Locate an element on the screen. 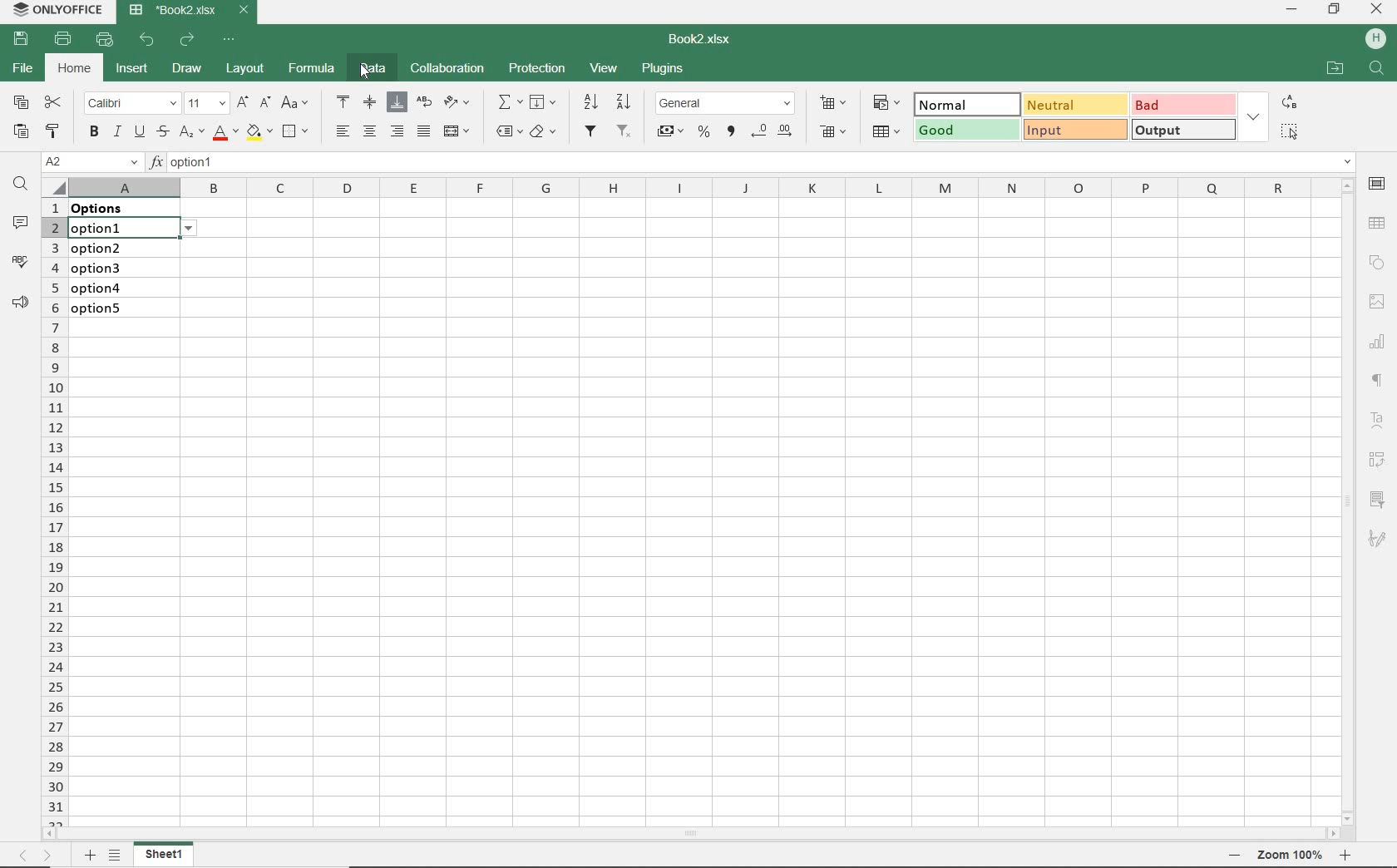  ALIGN TOP is located at coordinates (343, 101).